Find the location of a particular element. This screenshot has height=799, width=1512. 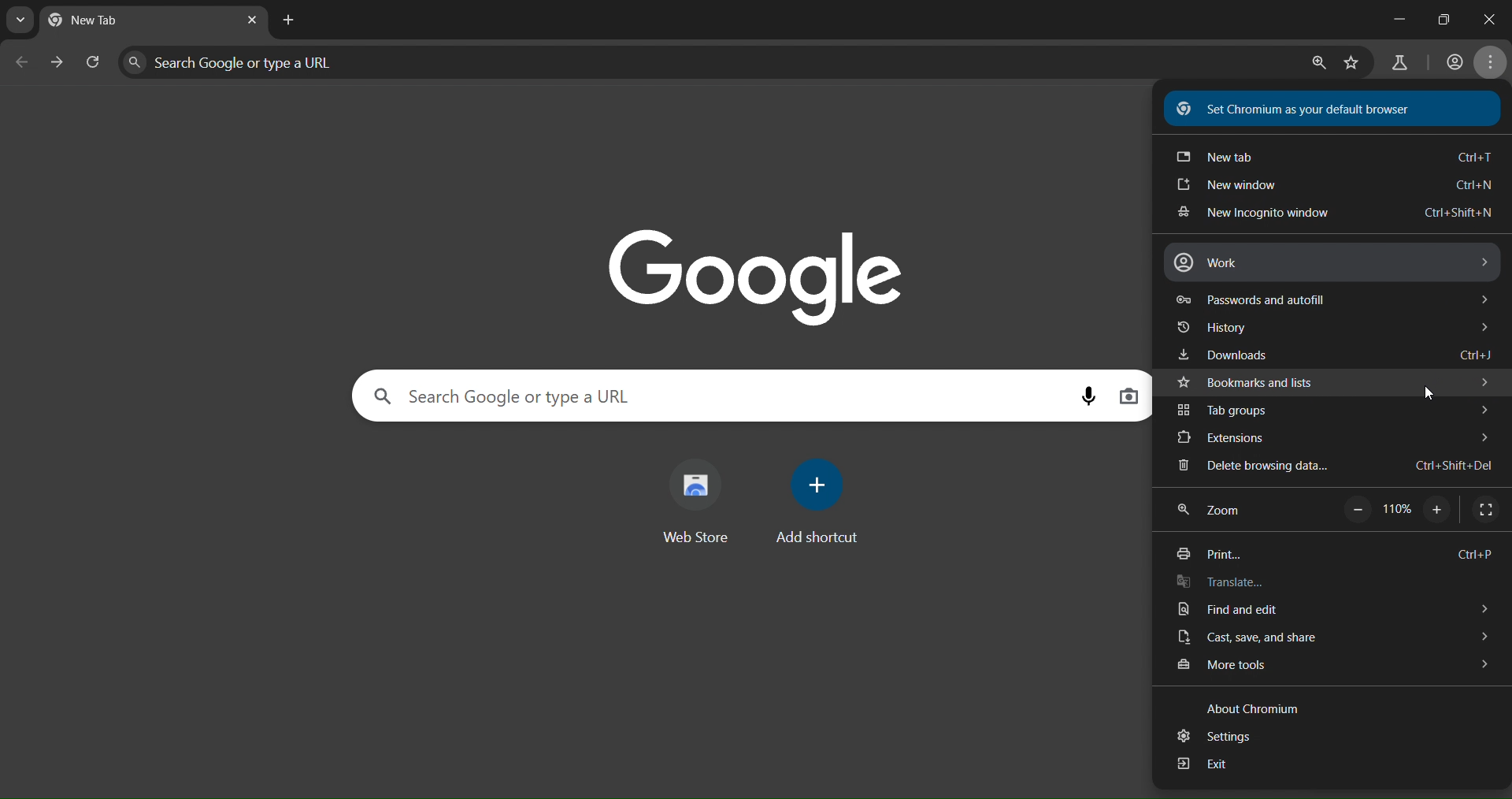

current page is located at coordinates (100, 21).